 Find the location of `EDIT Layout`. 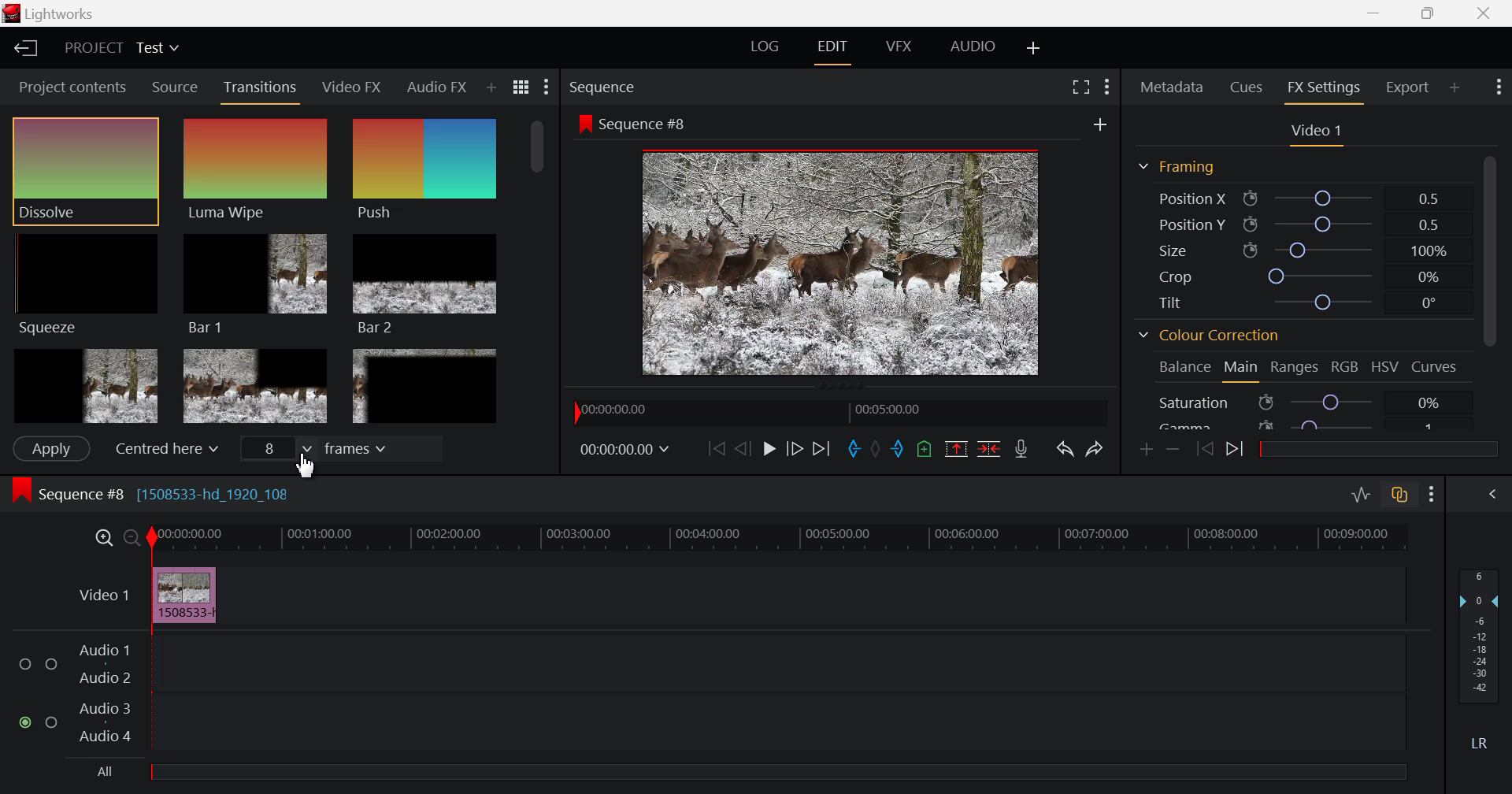

EDIT Layout is located at coordinates (833, 50).